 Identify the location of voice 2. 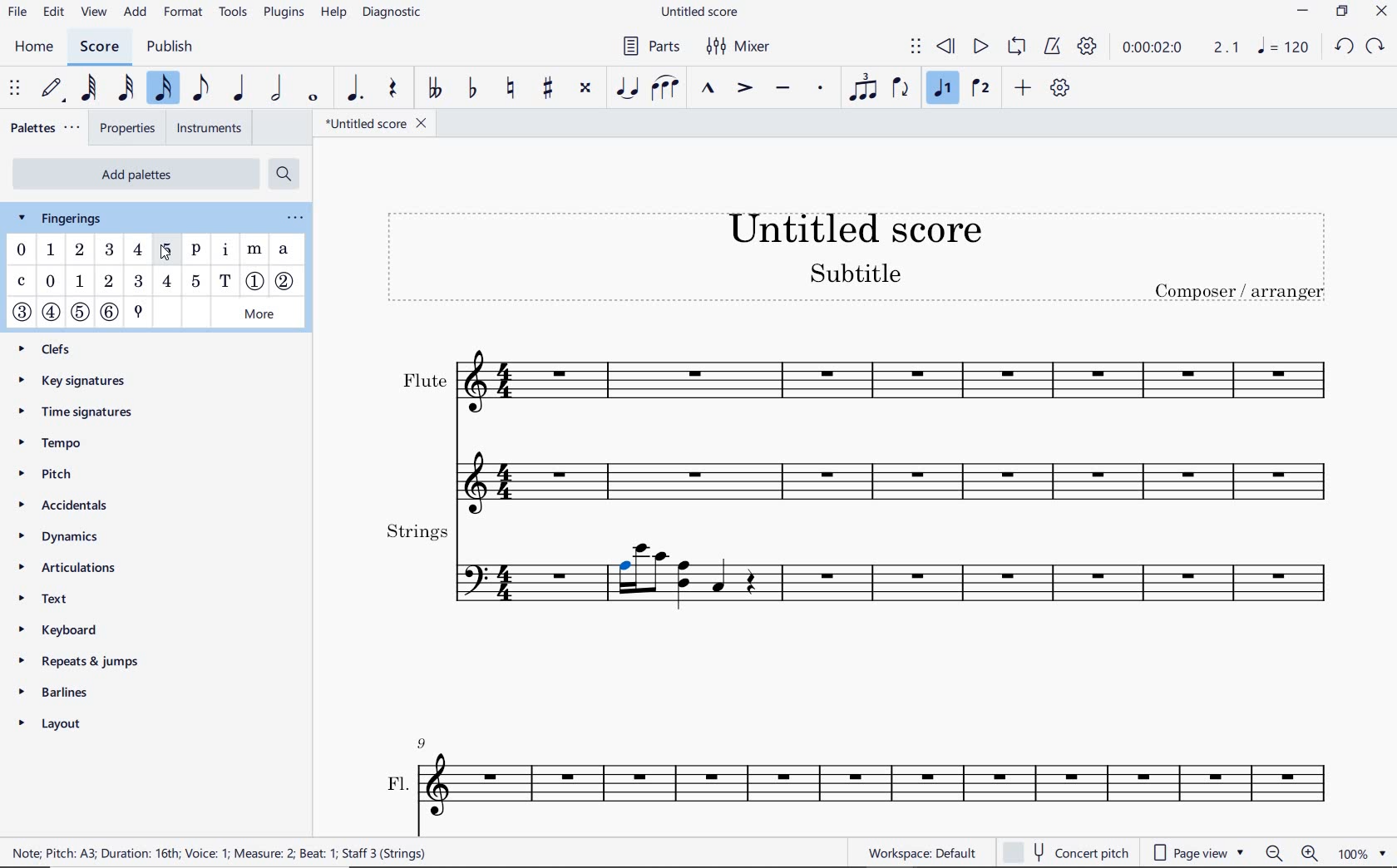
(980, 88).